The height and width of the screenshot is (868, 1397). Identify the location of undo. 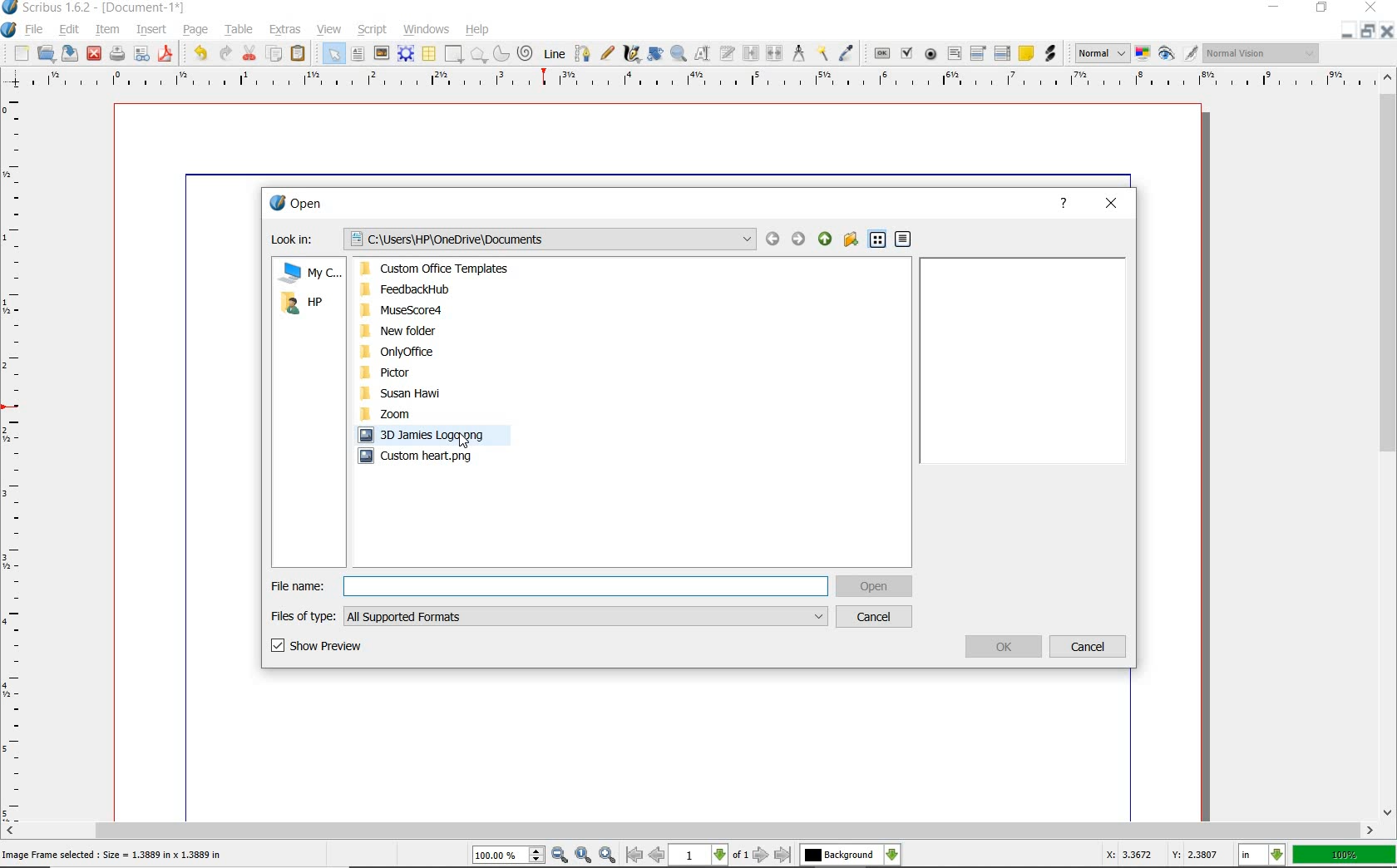
(200, 52).